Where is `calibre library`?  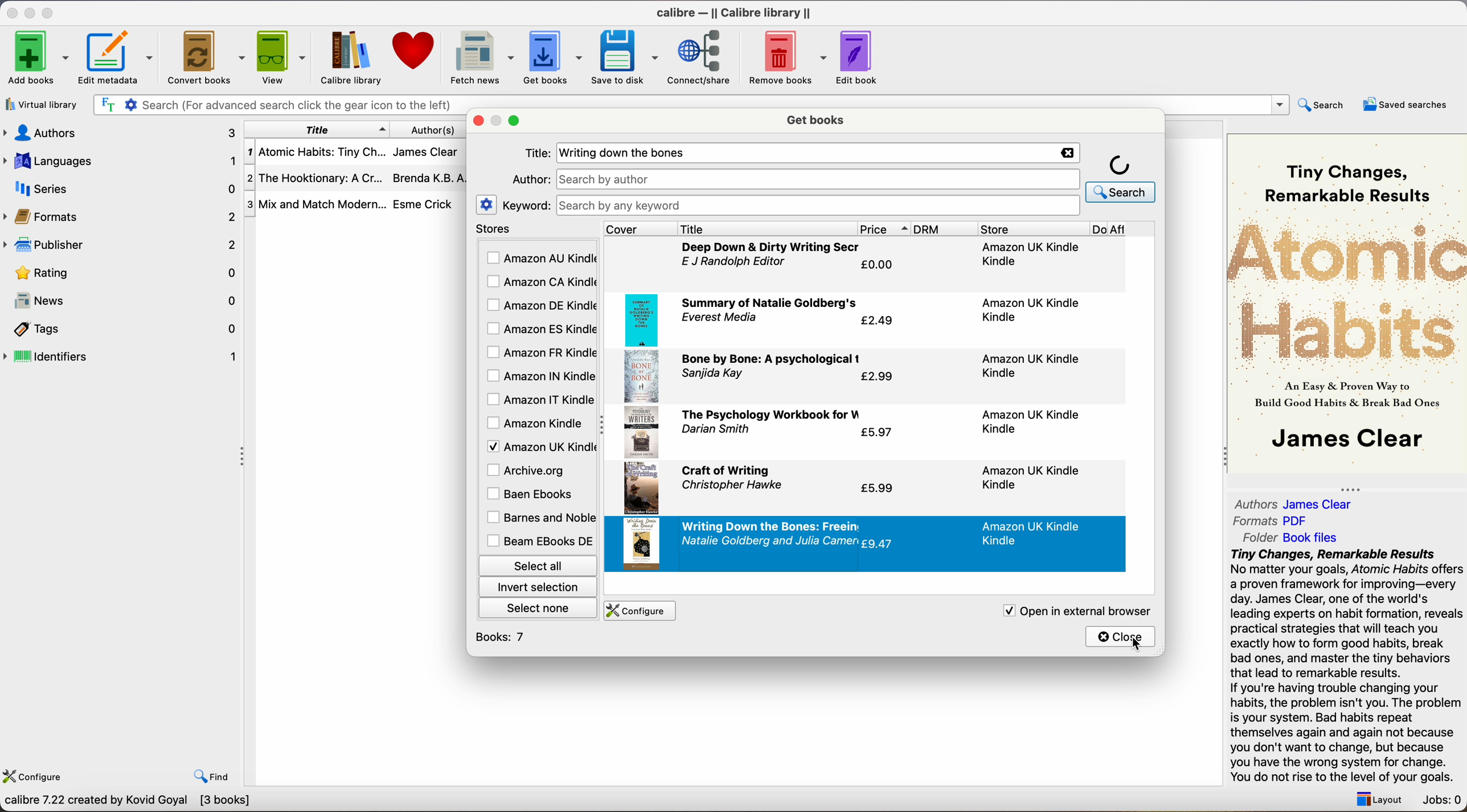
calibre library is located at coordinates (346, 58).